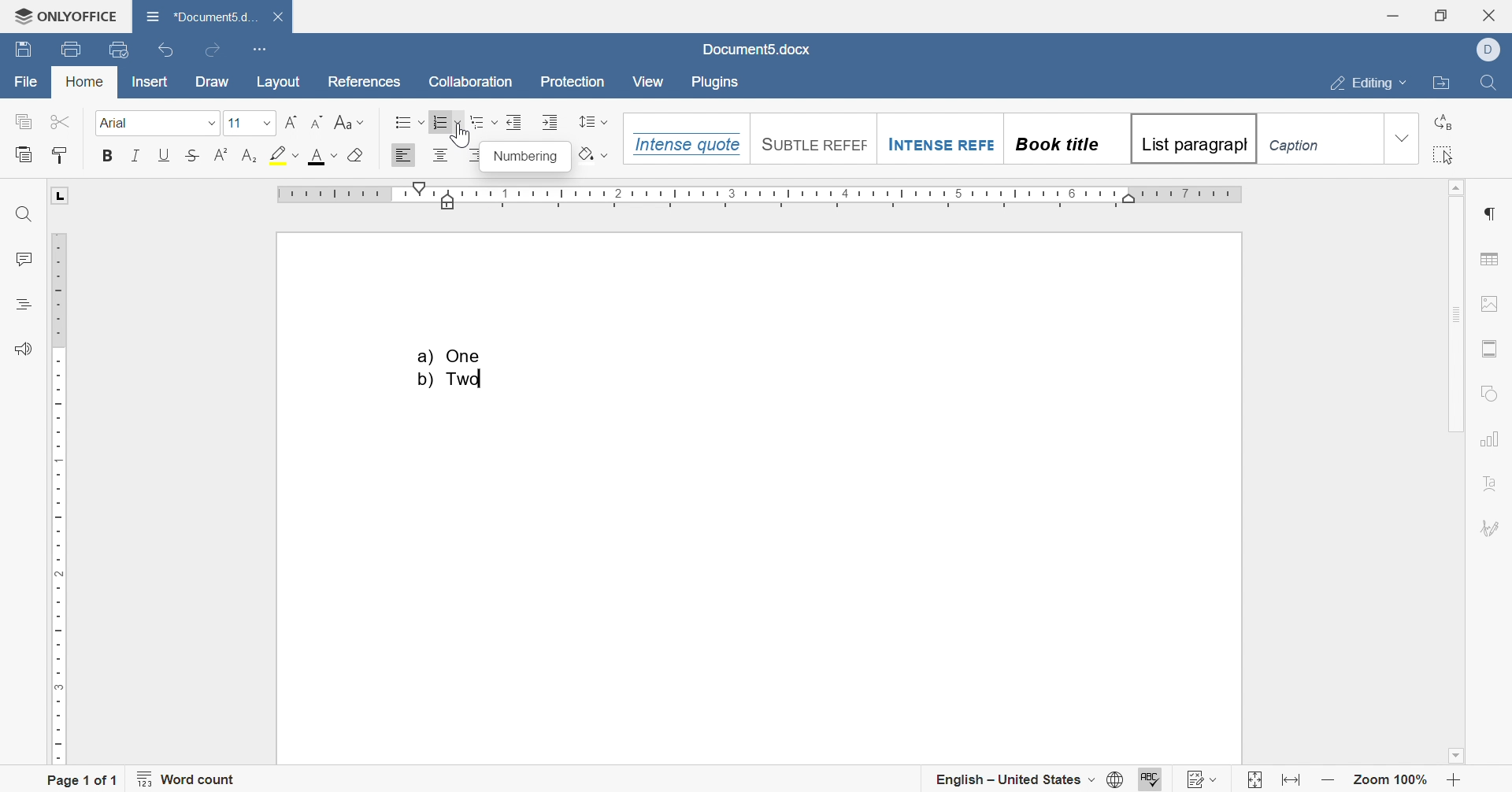  What do you see at coordinates (762, 50) in the screenshot?
I see `document5.docx` at bounding box center [762, 50].